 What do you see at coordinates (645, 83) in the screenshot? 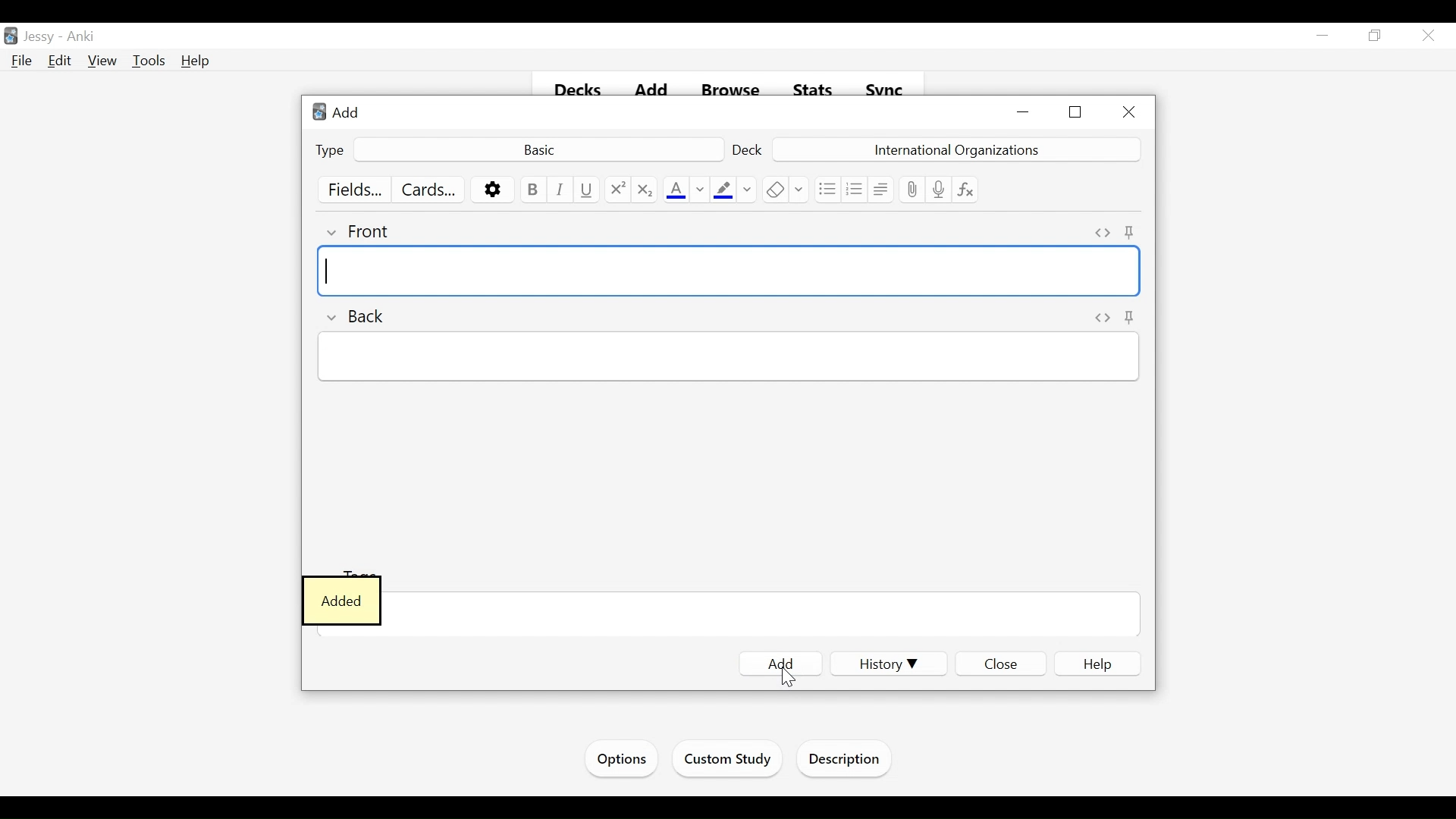
I see `add` at bounding box center [645, 83].